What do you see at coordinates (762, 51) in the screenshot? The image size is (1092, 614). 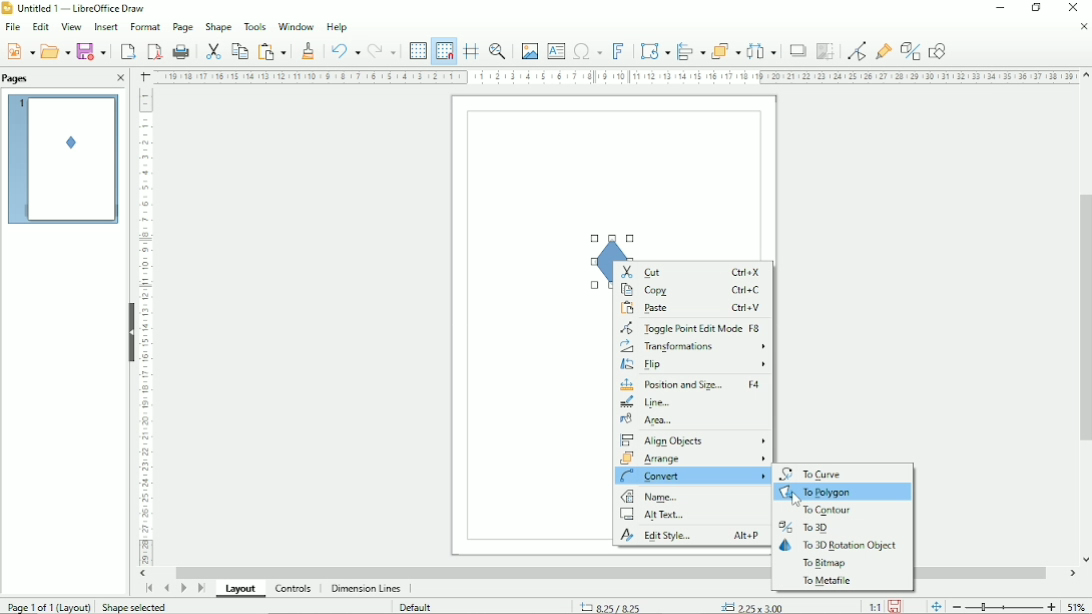 I see `Distribute` at bounding box center [762, 51].